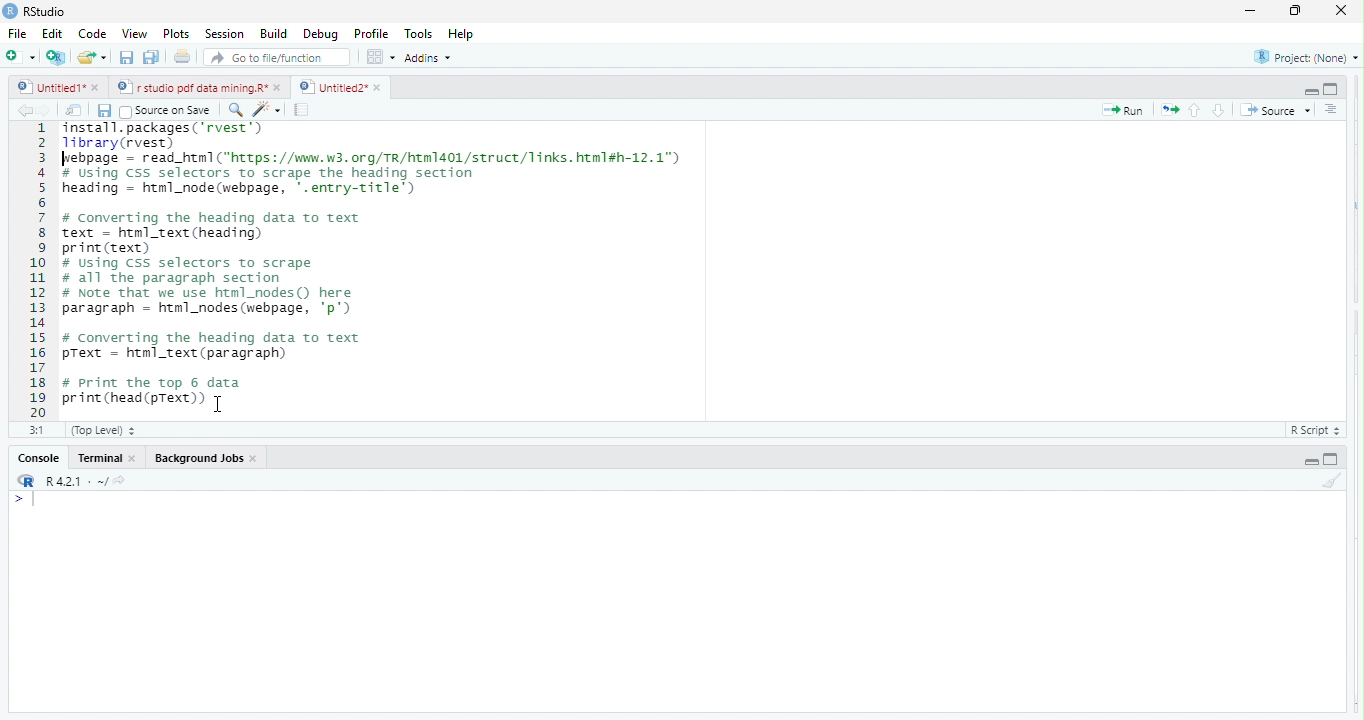 The height and width of the screenshot is (720, 1364). What do you see at coordinates (137, 460) in the screenshot?
I see `close` at bounding box center [137, 460].